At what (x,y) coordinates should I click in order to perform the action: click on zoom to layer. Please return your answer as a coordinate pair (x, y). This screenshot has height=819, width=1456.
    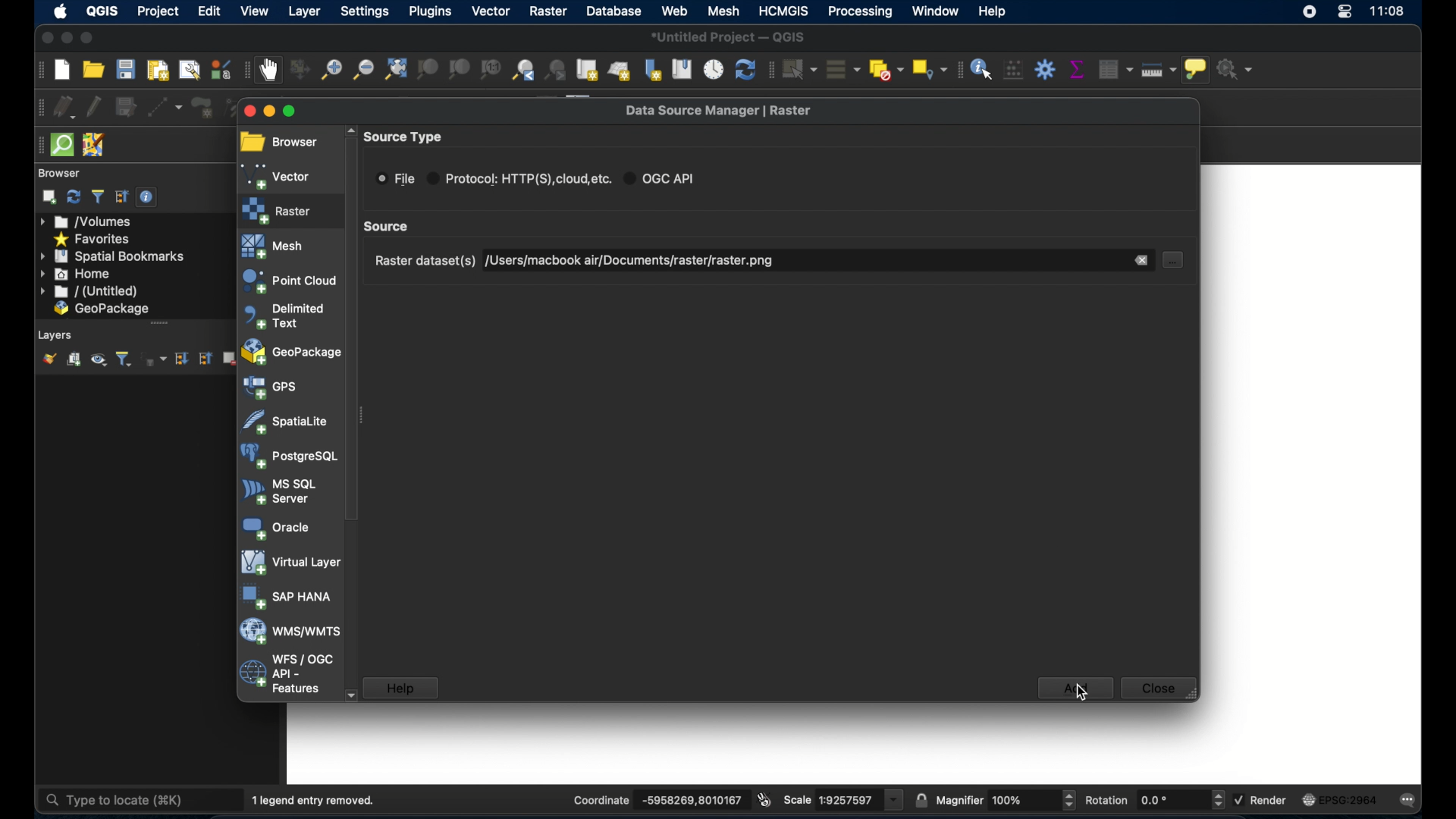
    Looking at the image, I should click on (458, 69).